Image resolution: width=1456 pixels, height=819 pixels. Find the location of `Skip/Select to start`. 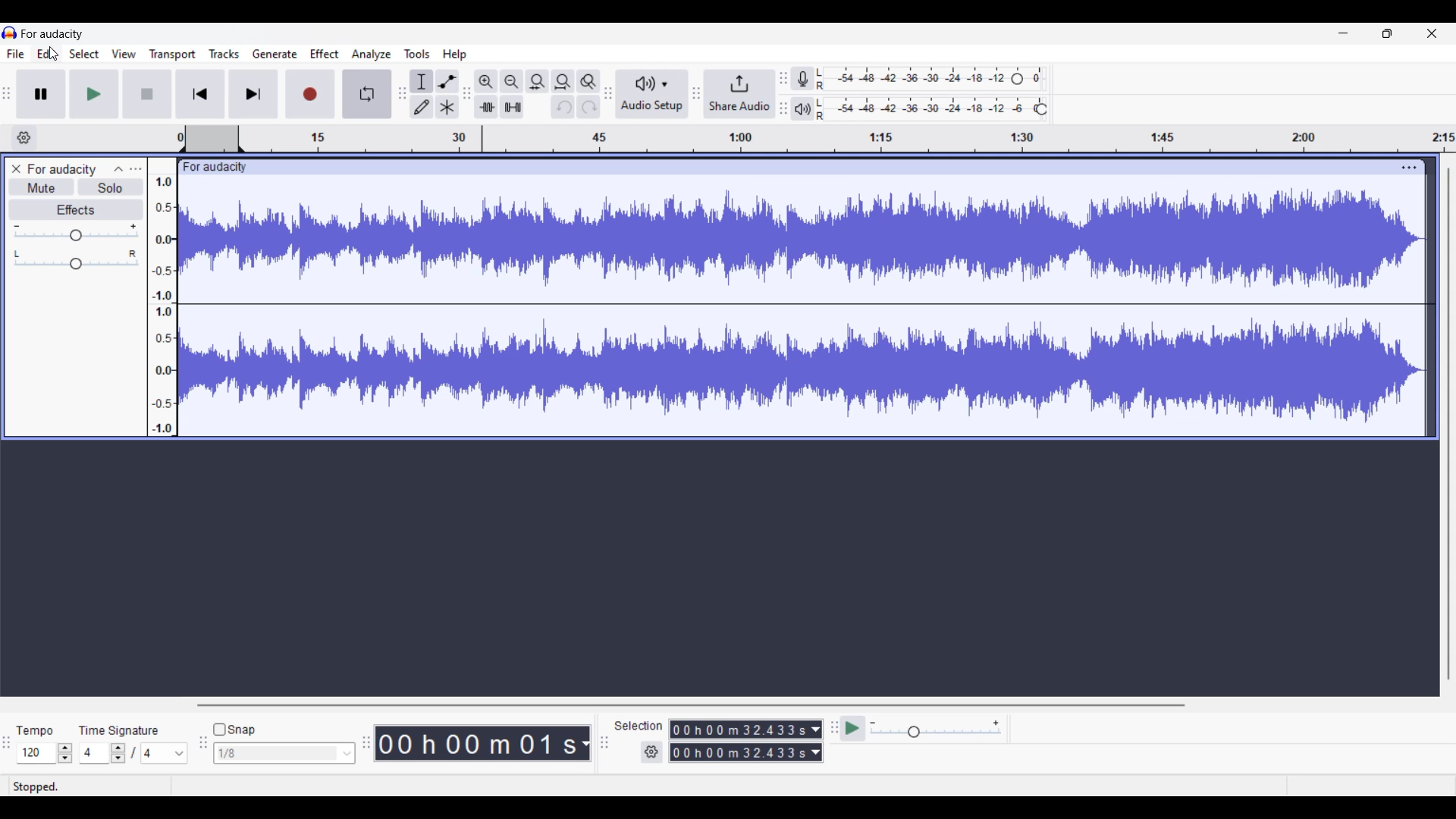

Skip/Select to start is located at coordinates (200, 94).